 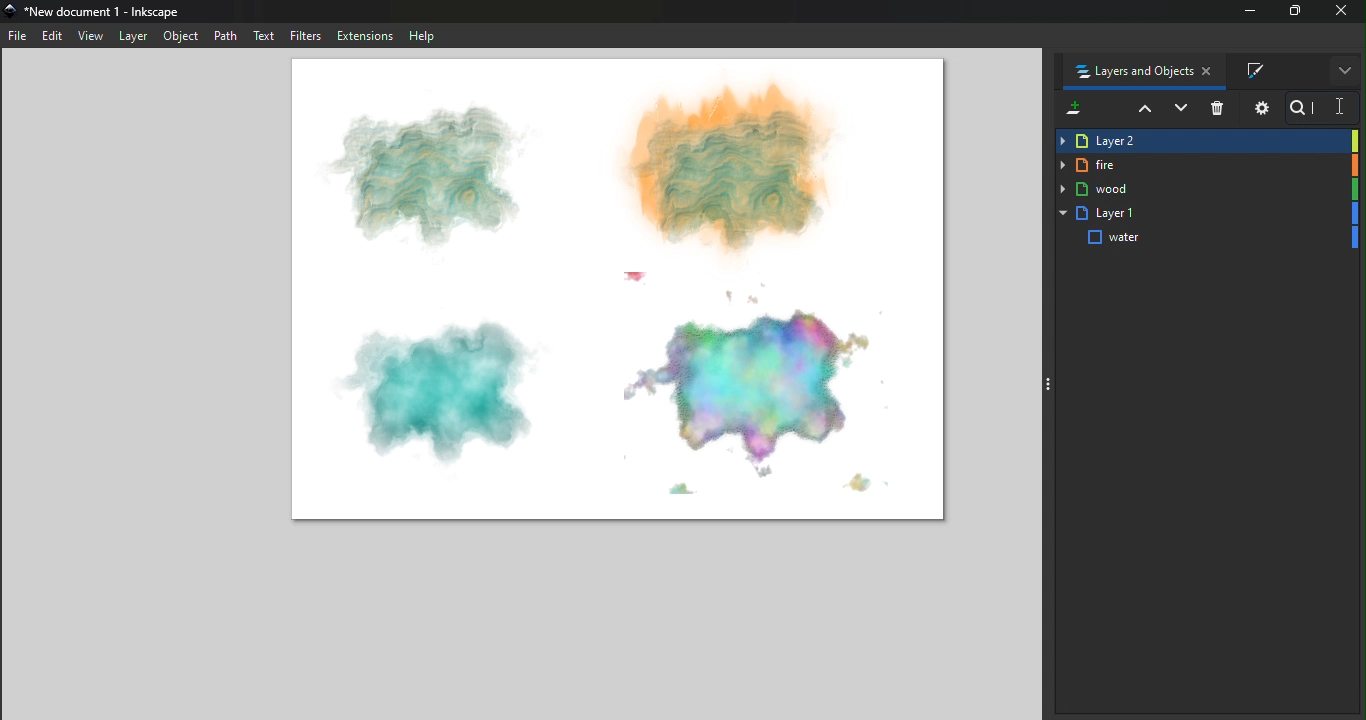 I want to click on  *New document 1 - Inkscape, so click(x=104, y=12).